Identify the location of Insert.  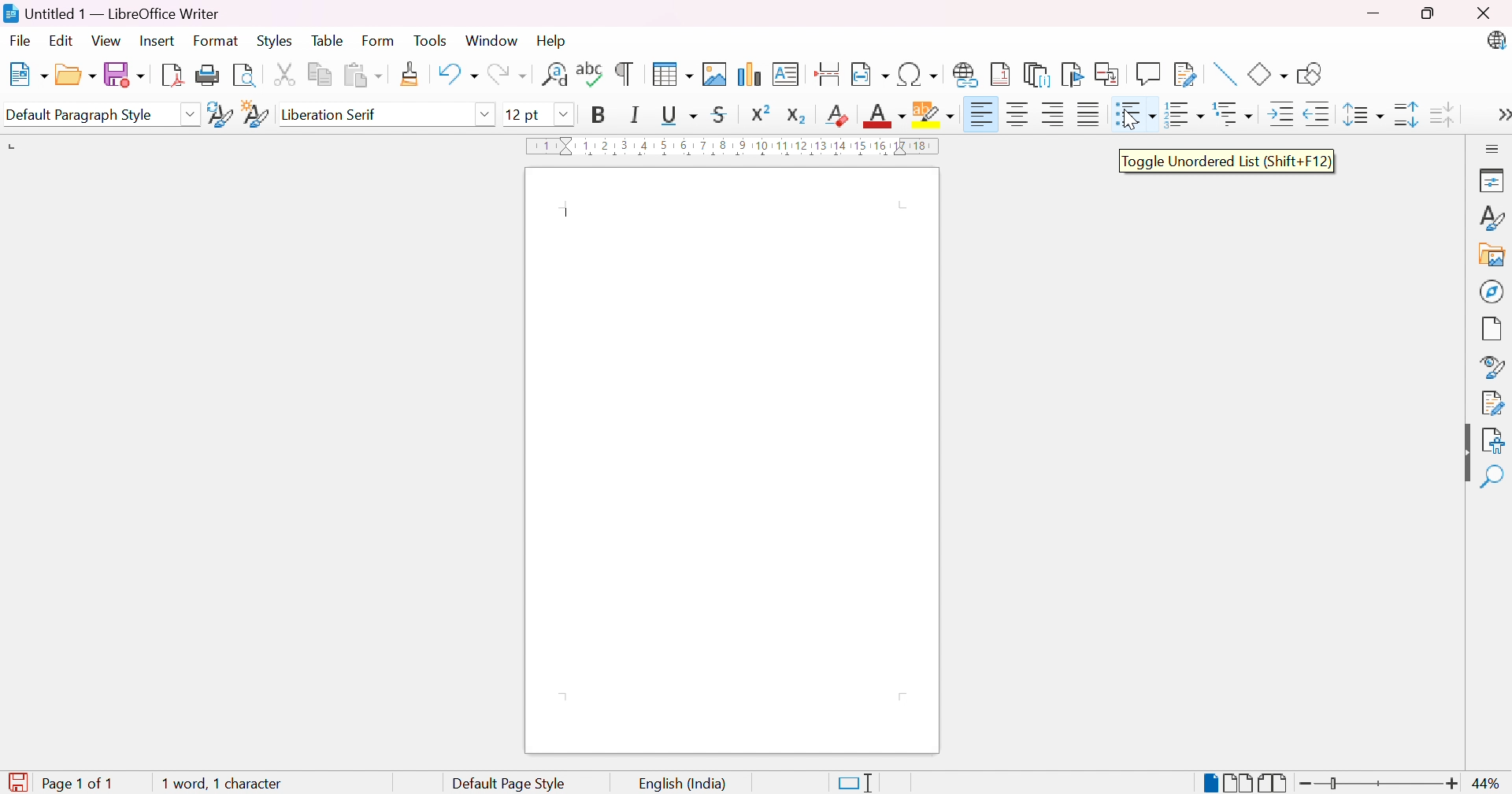
(156, 42).